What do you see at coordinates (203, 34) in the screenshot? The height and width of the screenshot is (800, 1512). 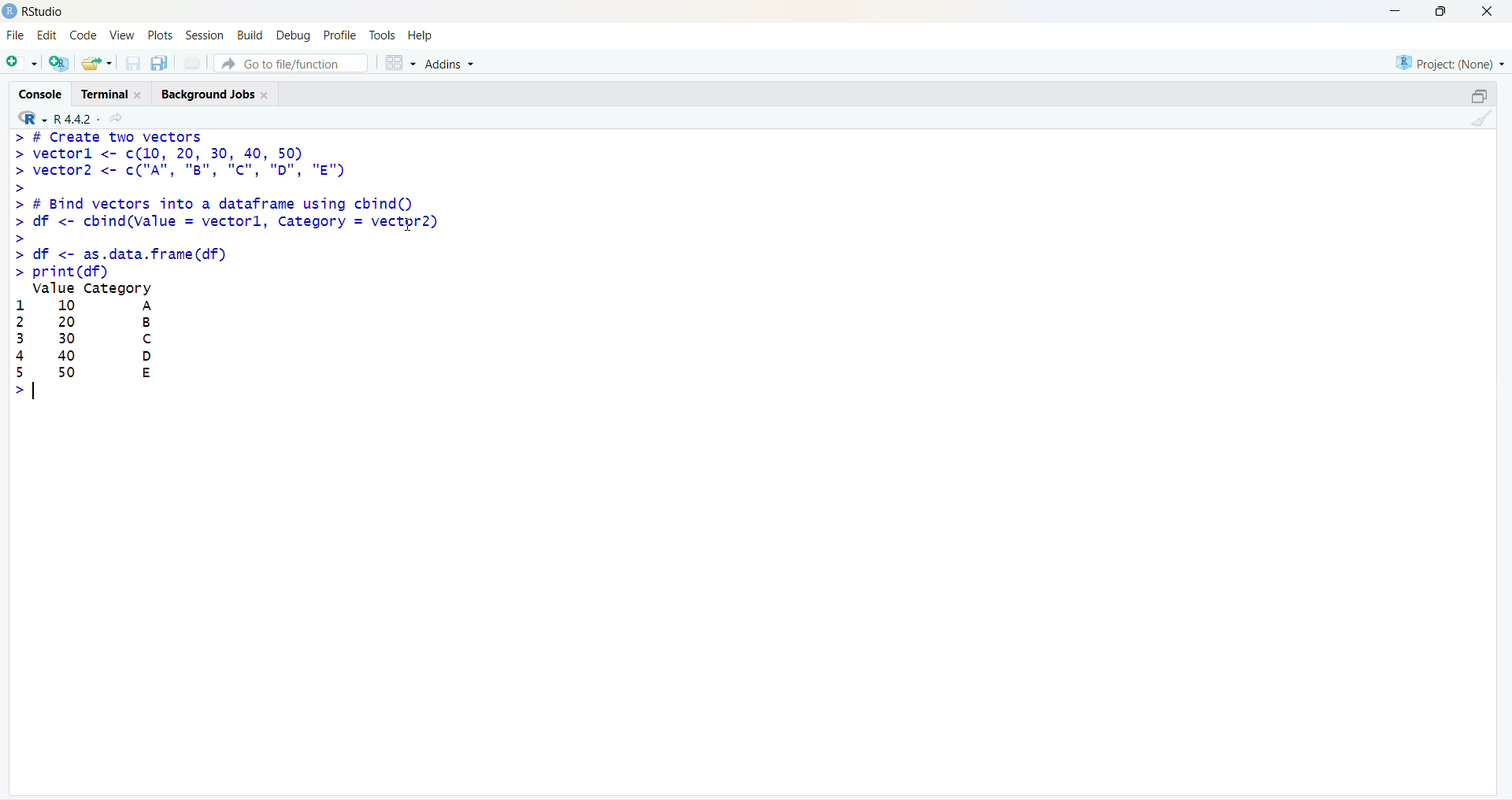 I see `Session` at bounding box center [203, 34].